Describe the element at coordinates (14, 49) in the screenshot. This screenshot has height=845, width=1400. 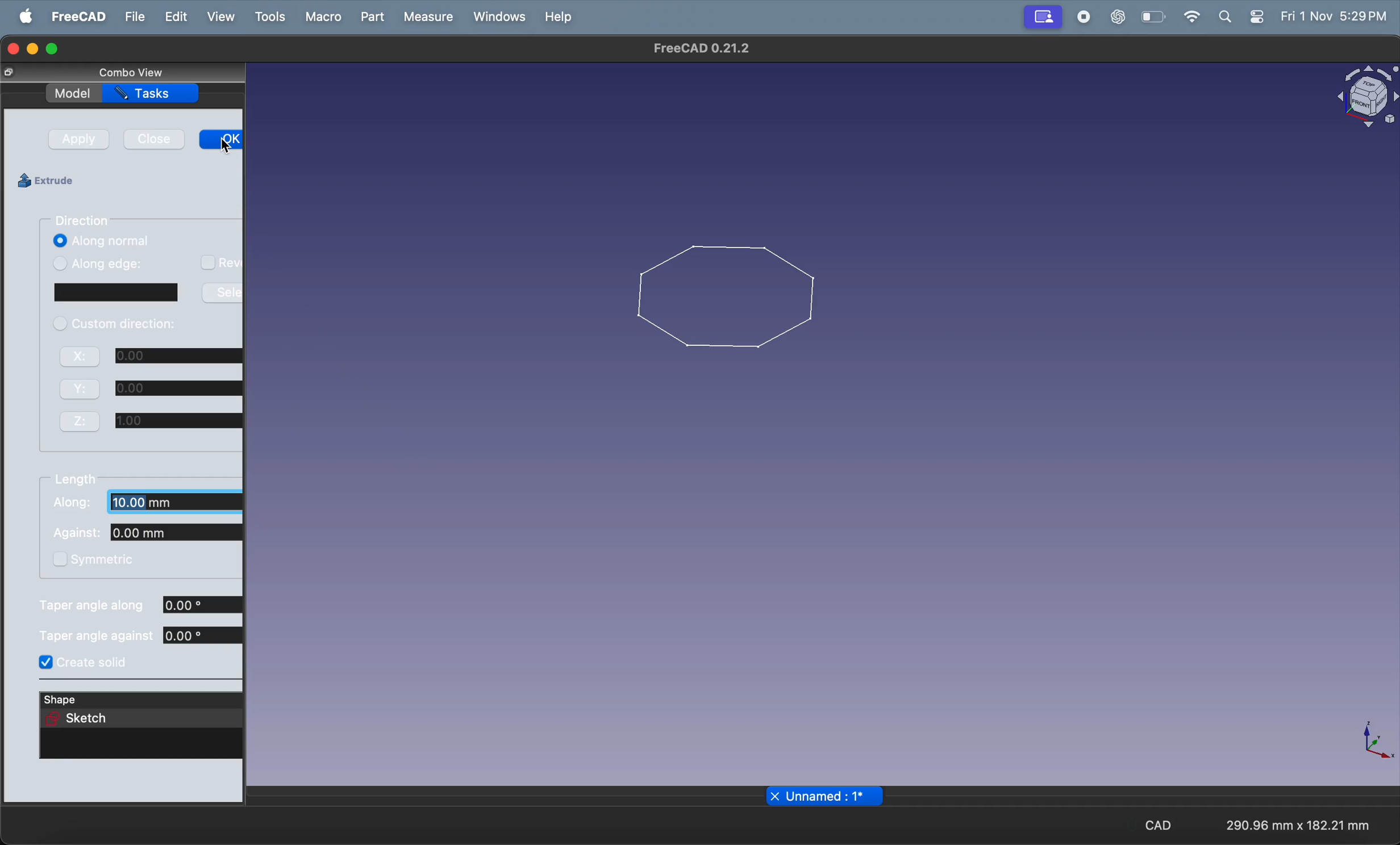
I see `closing window` at that location.